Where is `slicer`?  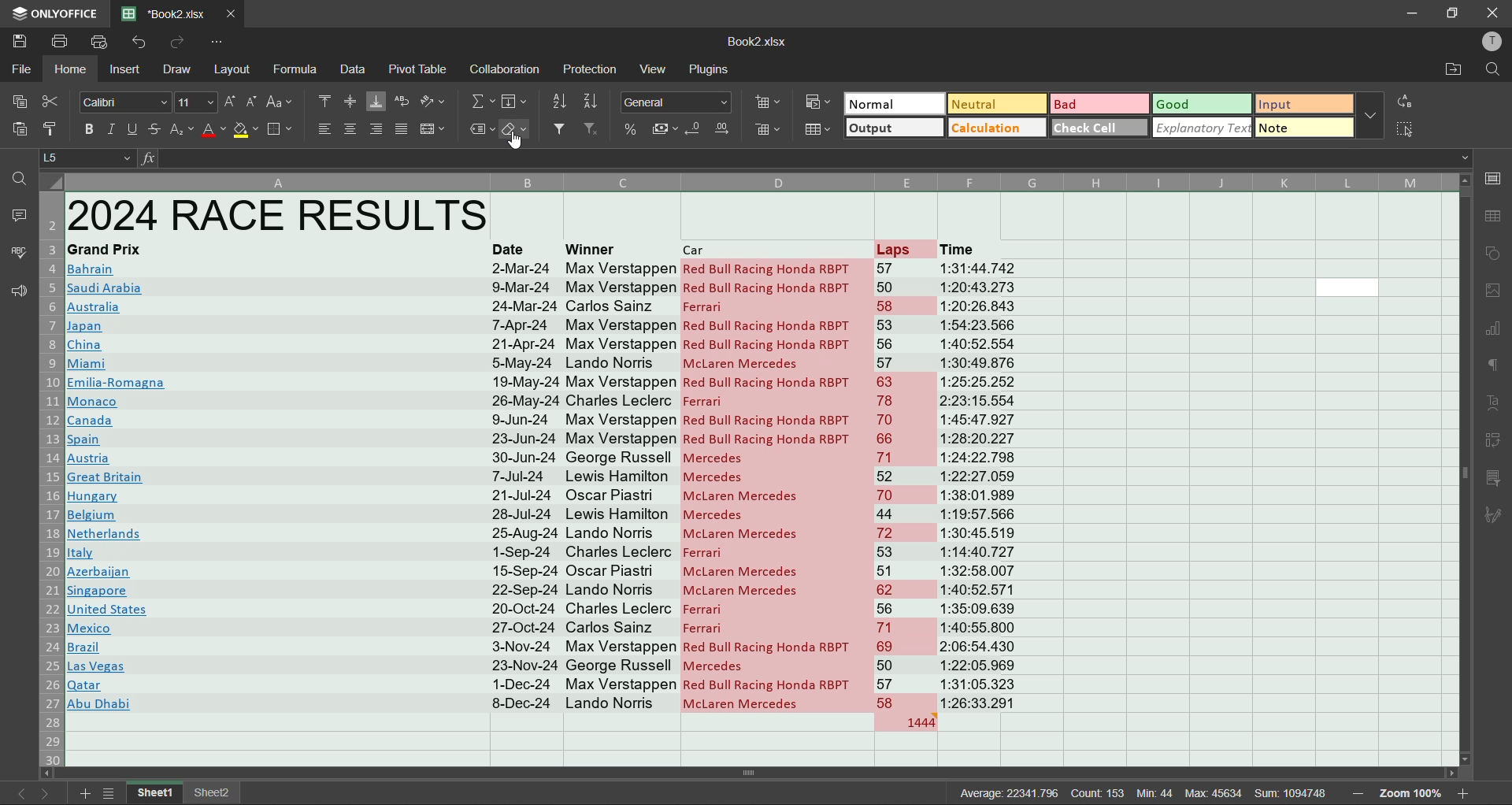
slicer is located at coordinates (1493, 480).